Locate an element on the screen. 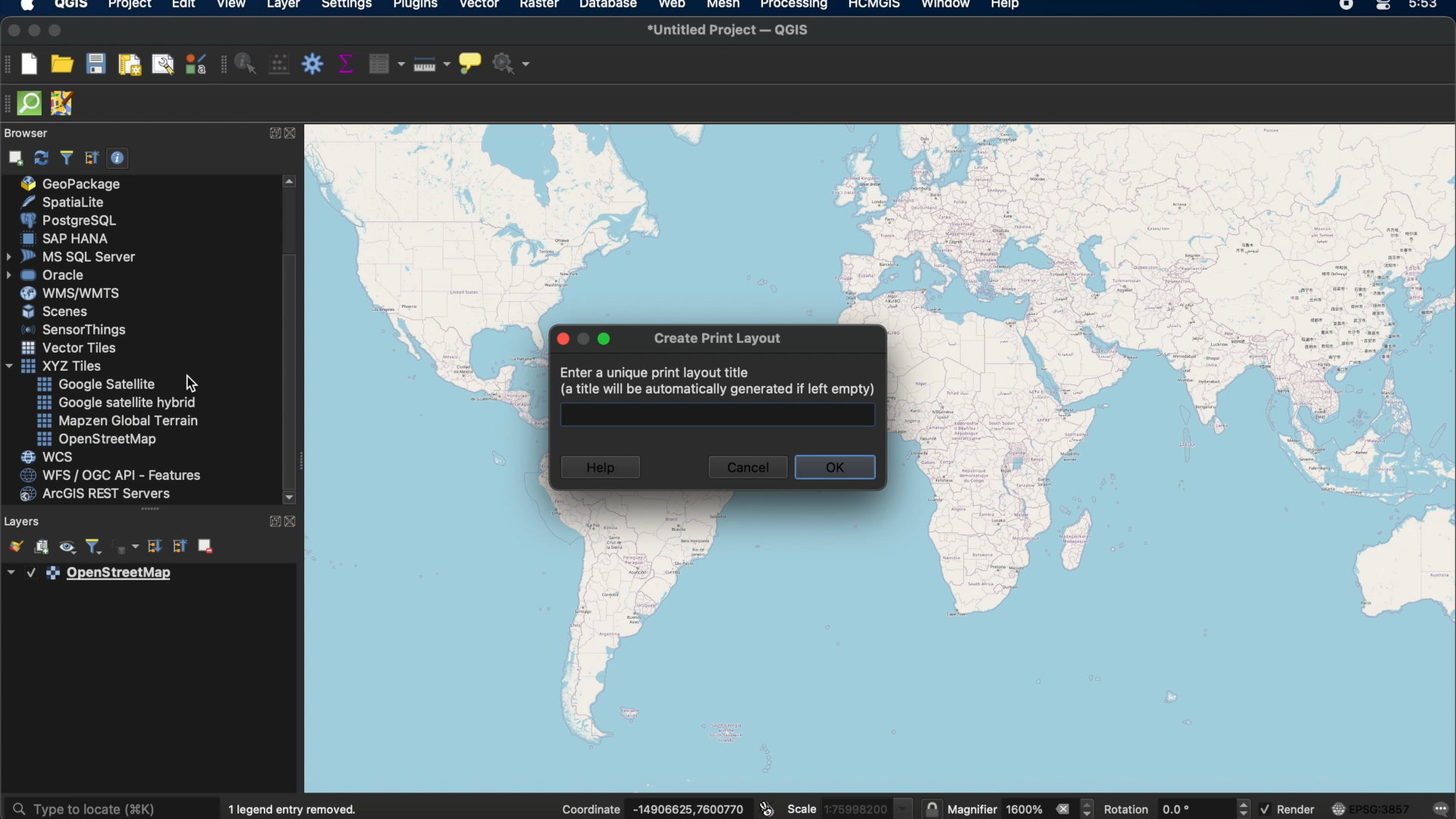  messages is located at coordinates (1441, 807).